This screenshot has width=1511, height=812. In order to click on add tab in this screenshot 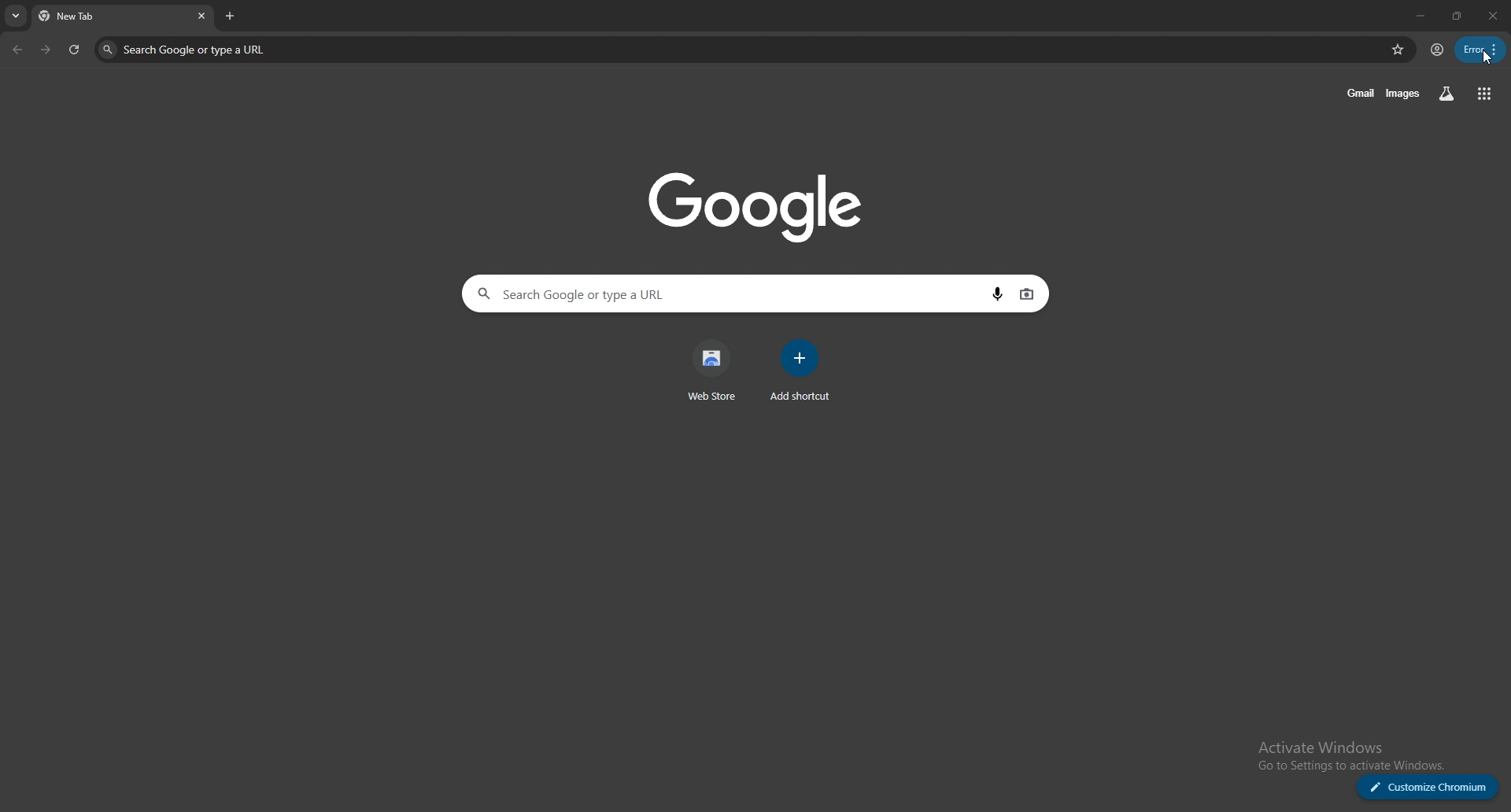, I will do `click(232, 16)`.